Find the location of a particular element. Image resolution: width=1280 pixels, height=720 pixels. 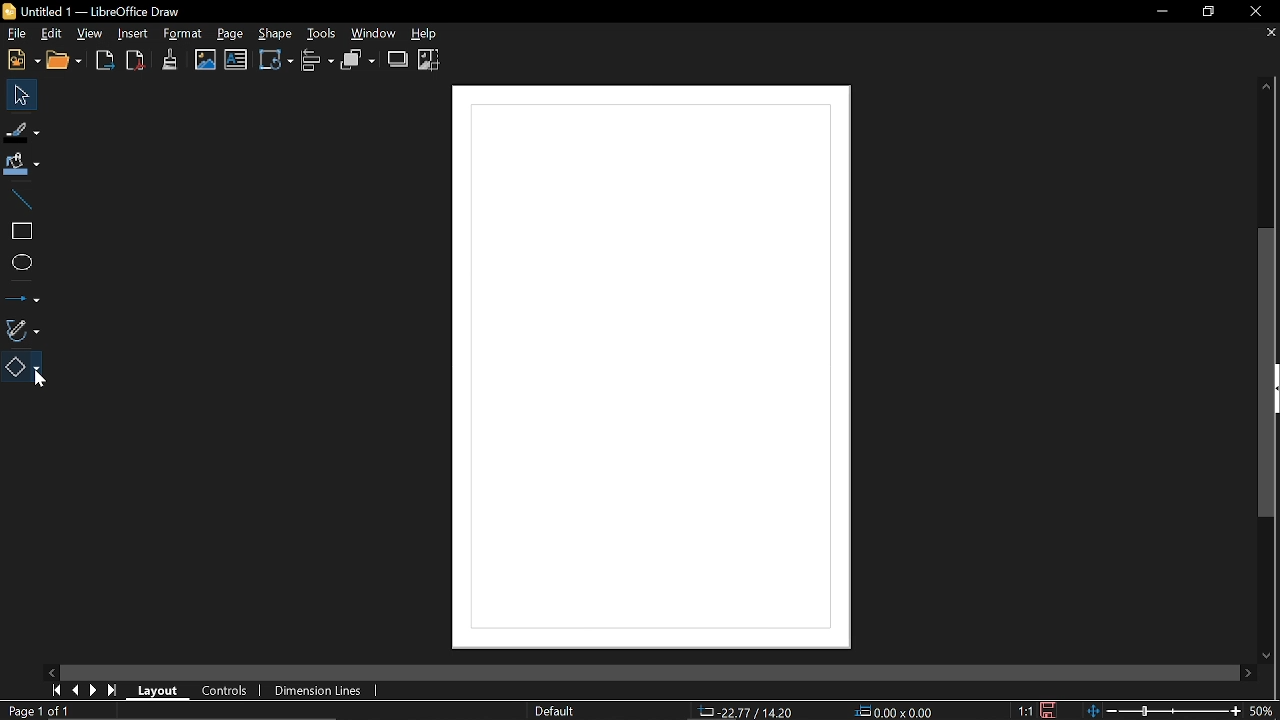

Current window is located at coordinates (100, 10).